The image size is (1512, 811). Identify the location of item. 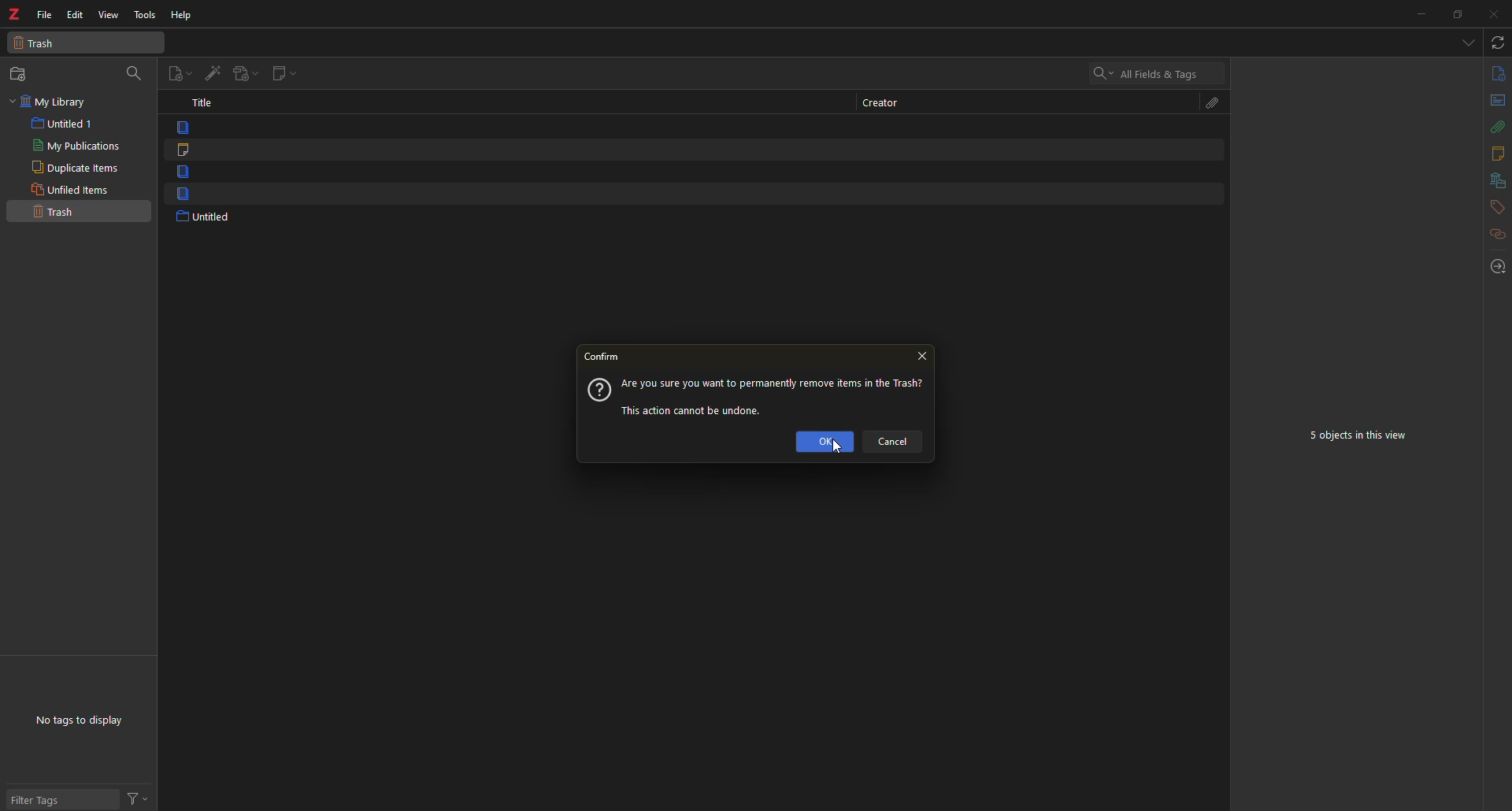
(179, 173).